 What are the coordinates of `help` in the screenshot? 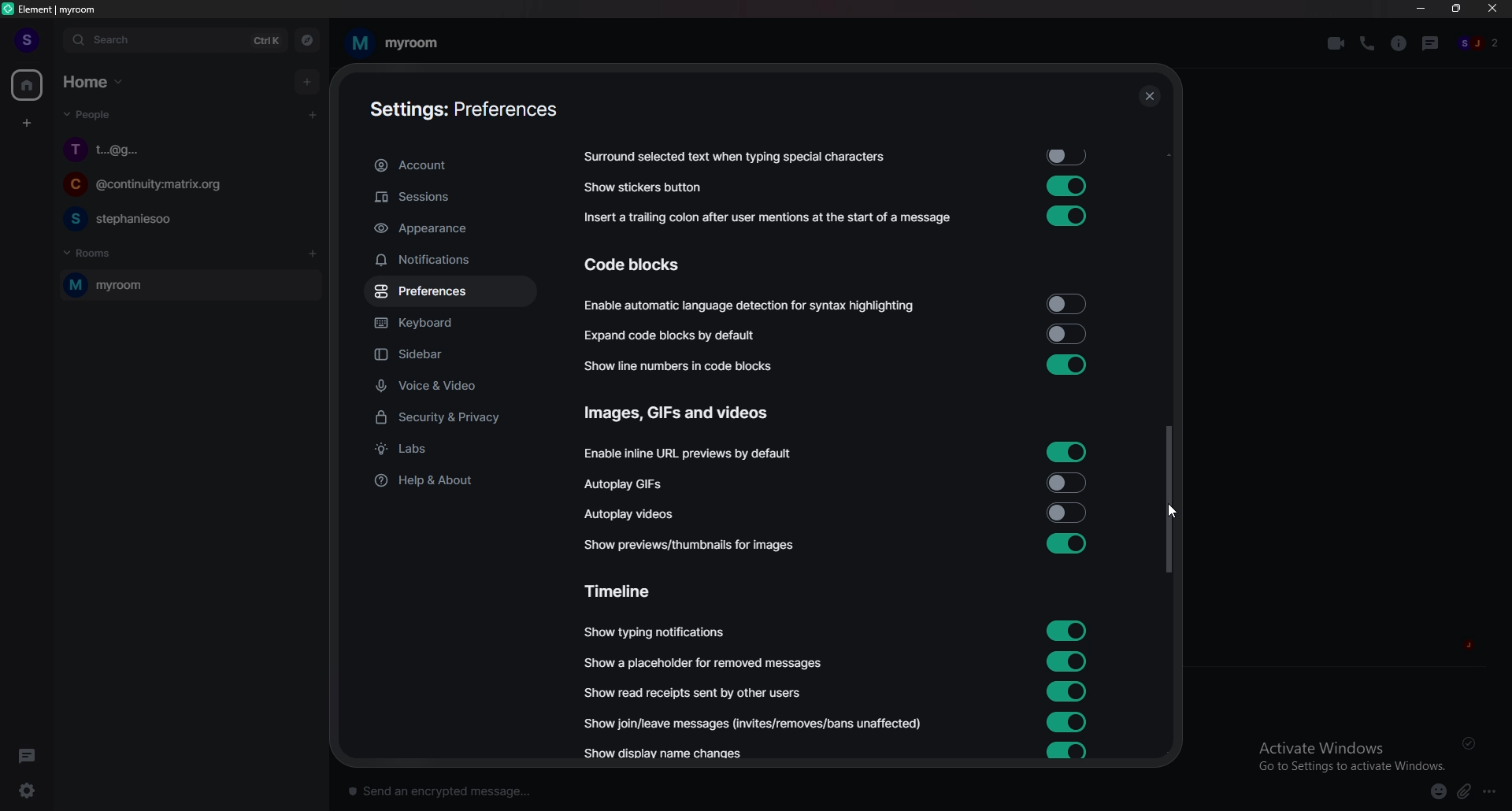 It's located at (449, 480).